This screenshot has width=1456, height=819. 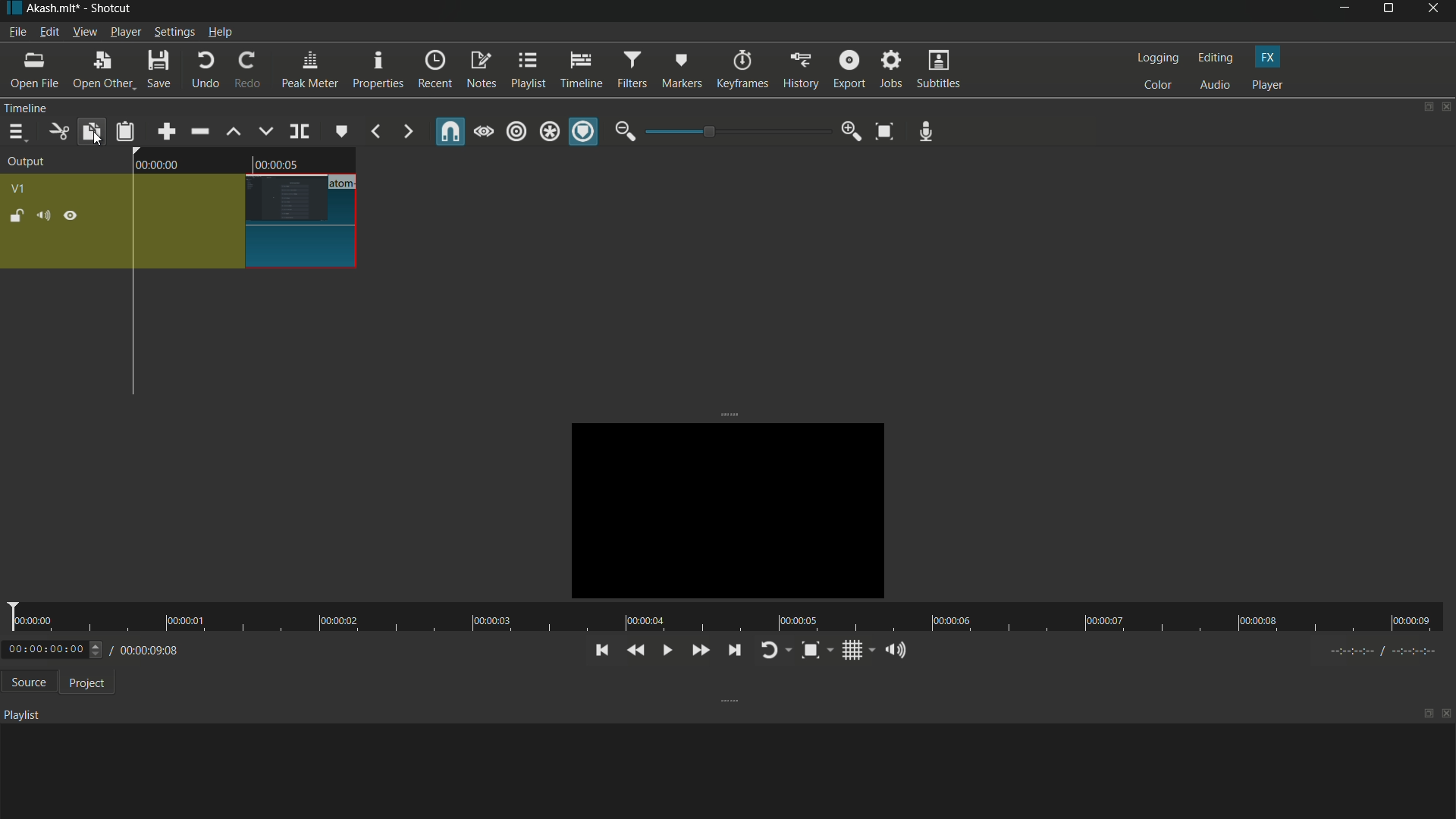 What do you see at coordinates (376, 133) in the screenshot?
I see `previous marker` at bounding box center [376, 133].